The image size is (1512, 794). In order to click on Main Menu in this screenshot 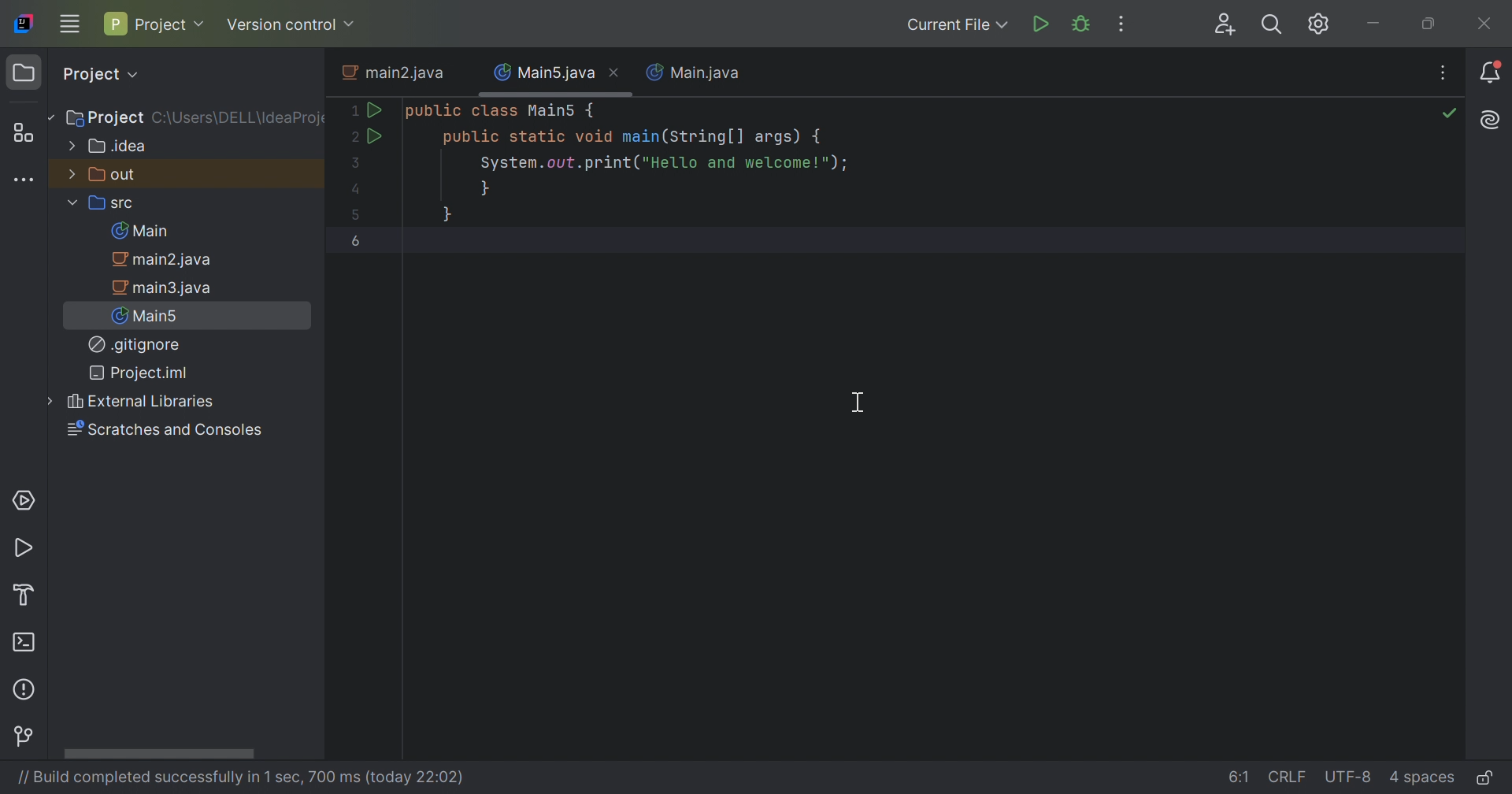, I will do `click(69, 22)`.